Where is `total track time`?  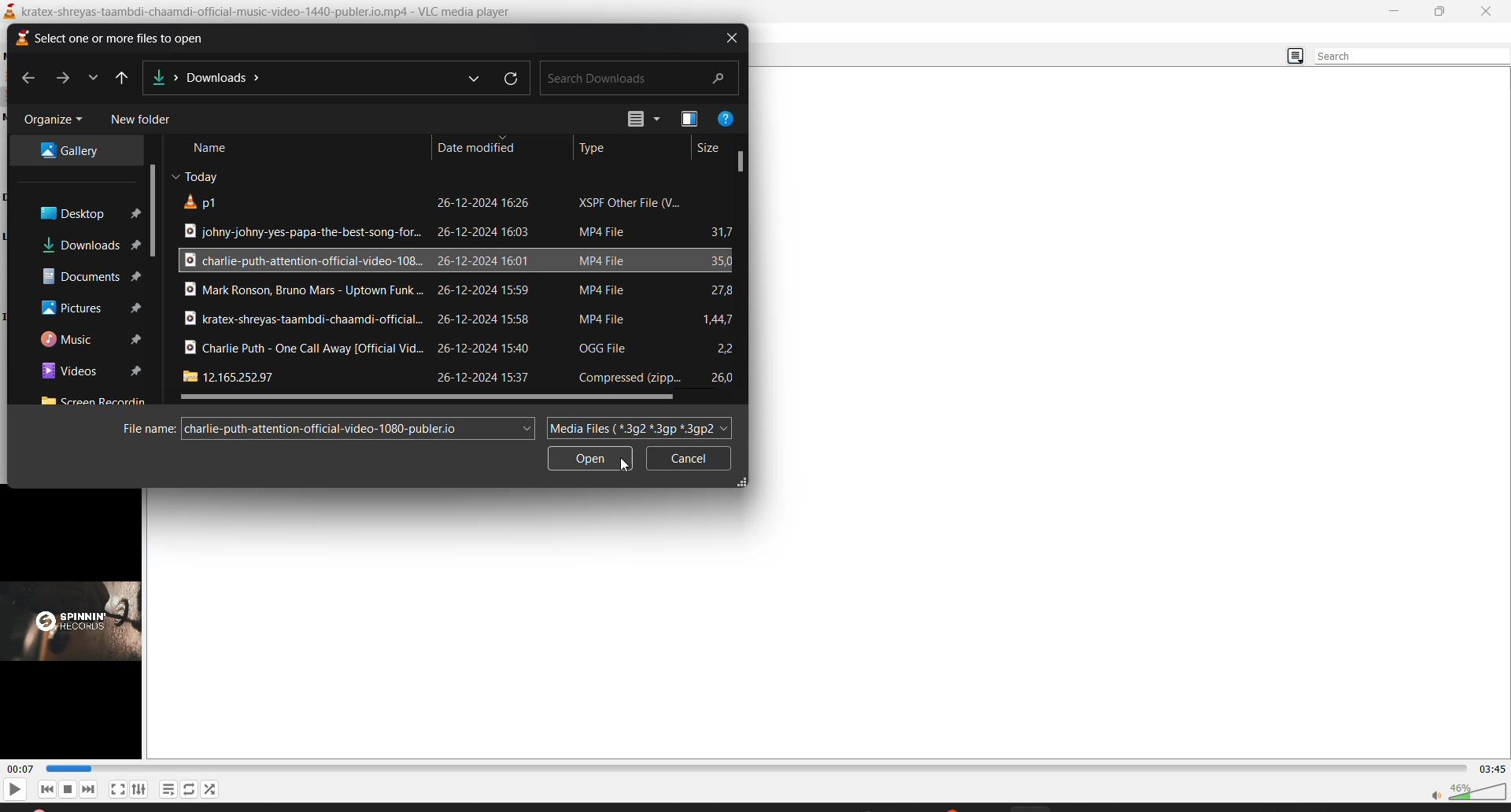 total track time is located at coordinates (1494, 770).